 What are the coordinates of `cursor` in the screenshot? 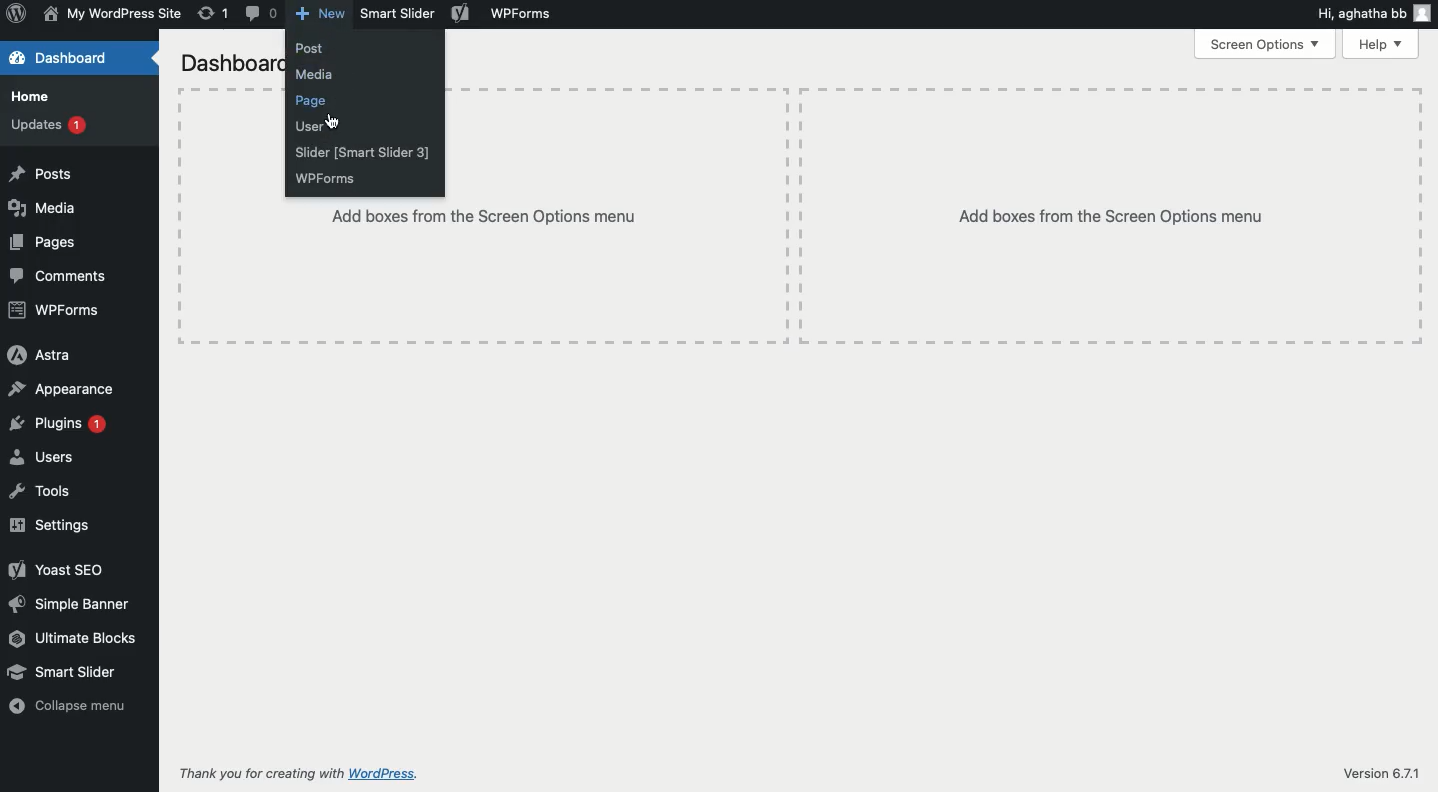 It's located at (336, 119).